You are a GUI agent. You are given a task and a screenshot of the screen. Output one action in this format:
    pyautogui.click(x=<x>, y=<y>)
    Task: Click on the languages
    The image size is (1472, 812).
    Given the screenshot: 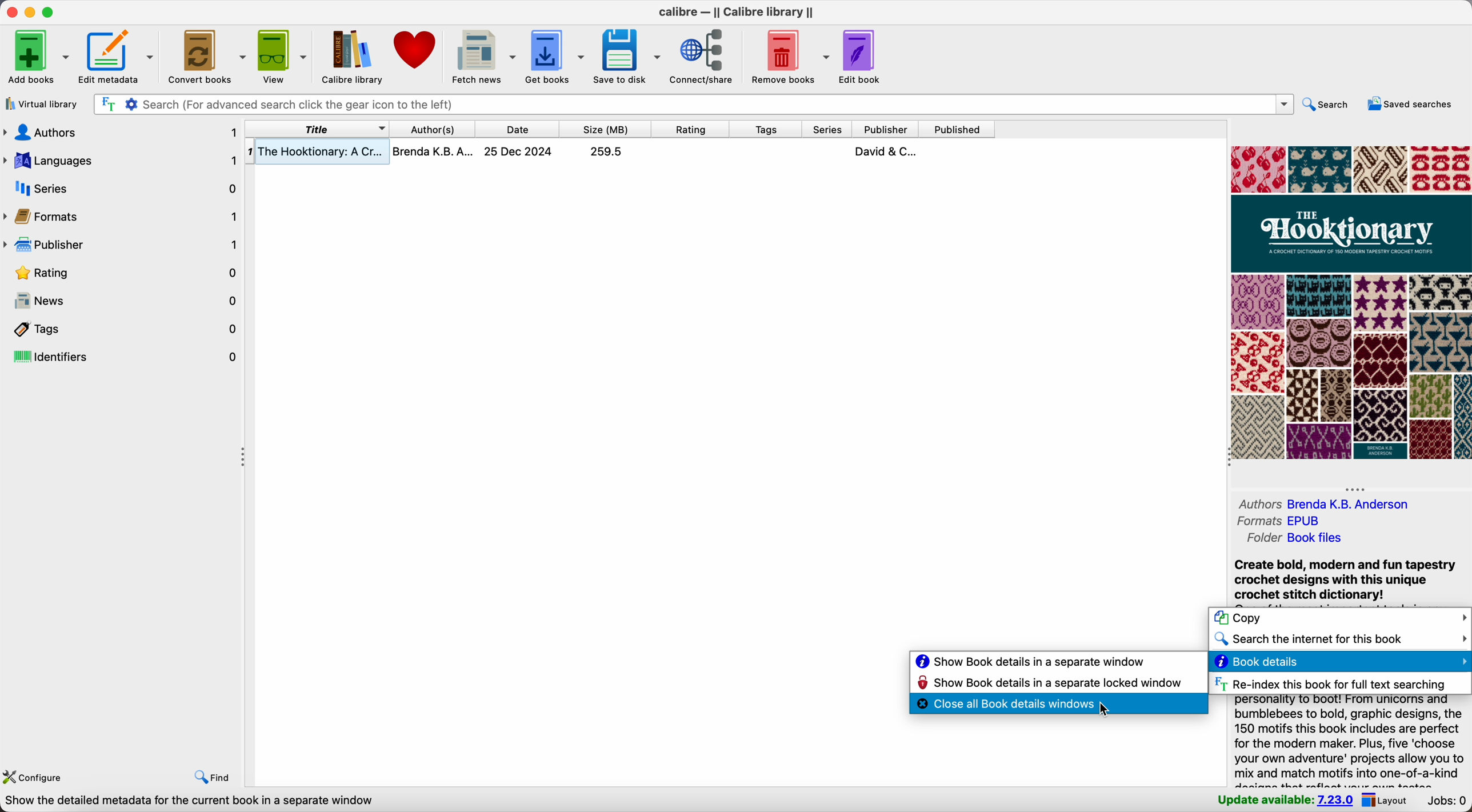 What is the action you would take?
    pyautogui.click(x=122, y=158)
    